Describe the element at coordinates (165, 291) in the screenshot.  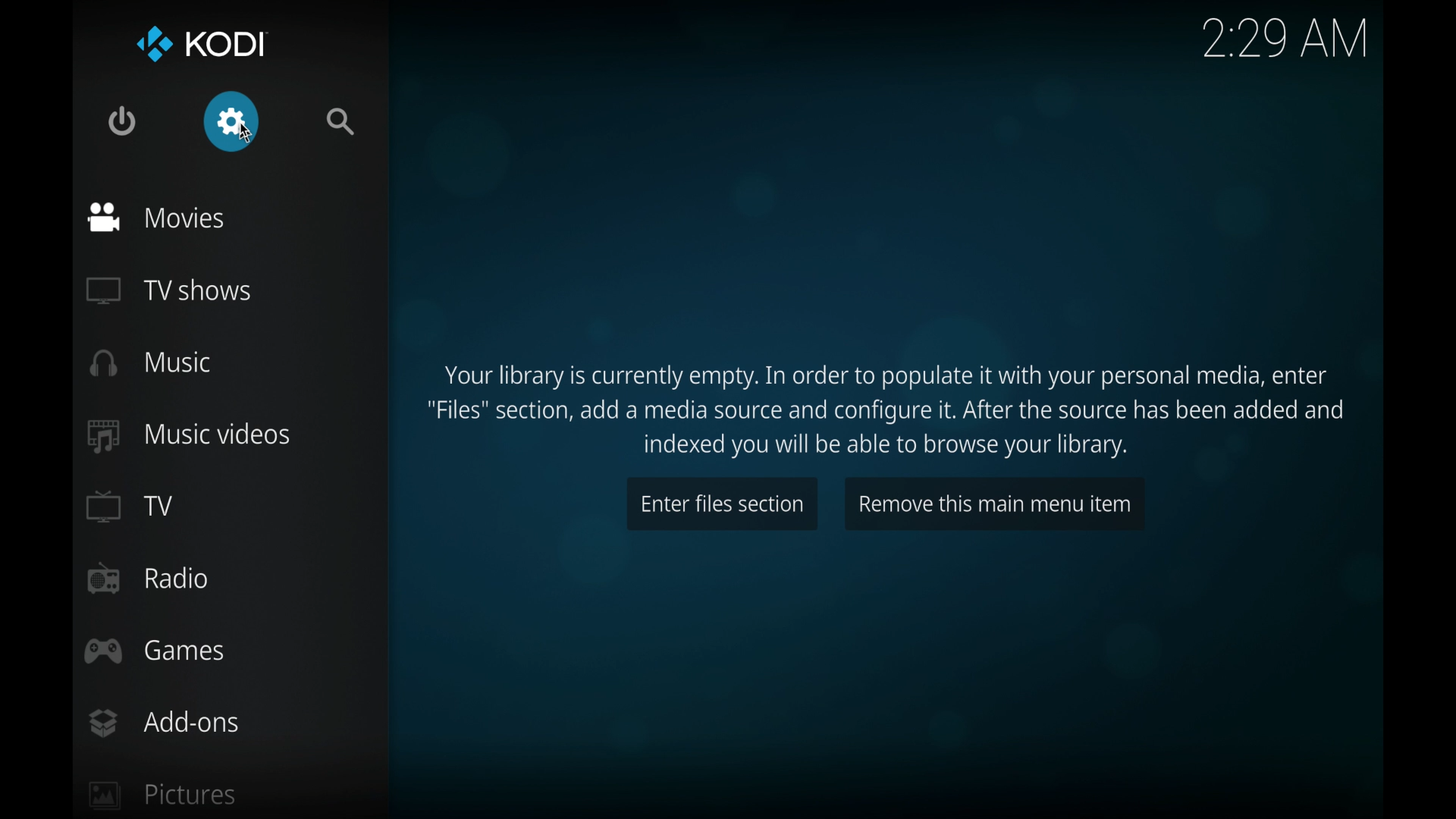
I see `tv shows` at that location.